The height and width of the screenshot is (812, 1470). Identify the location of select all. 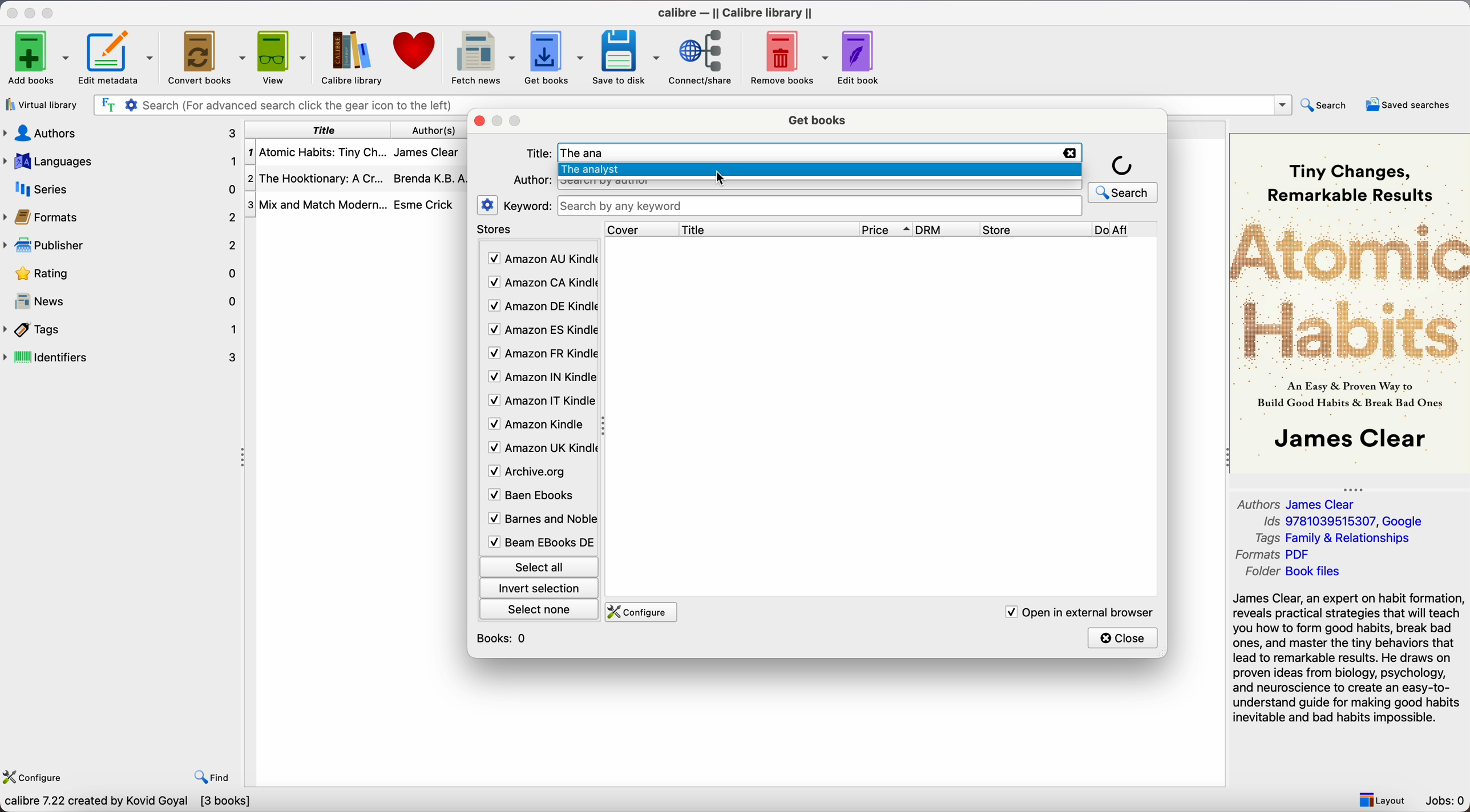
(538, 565).